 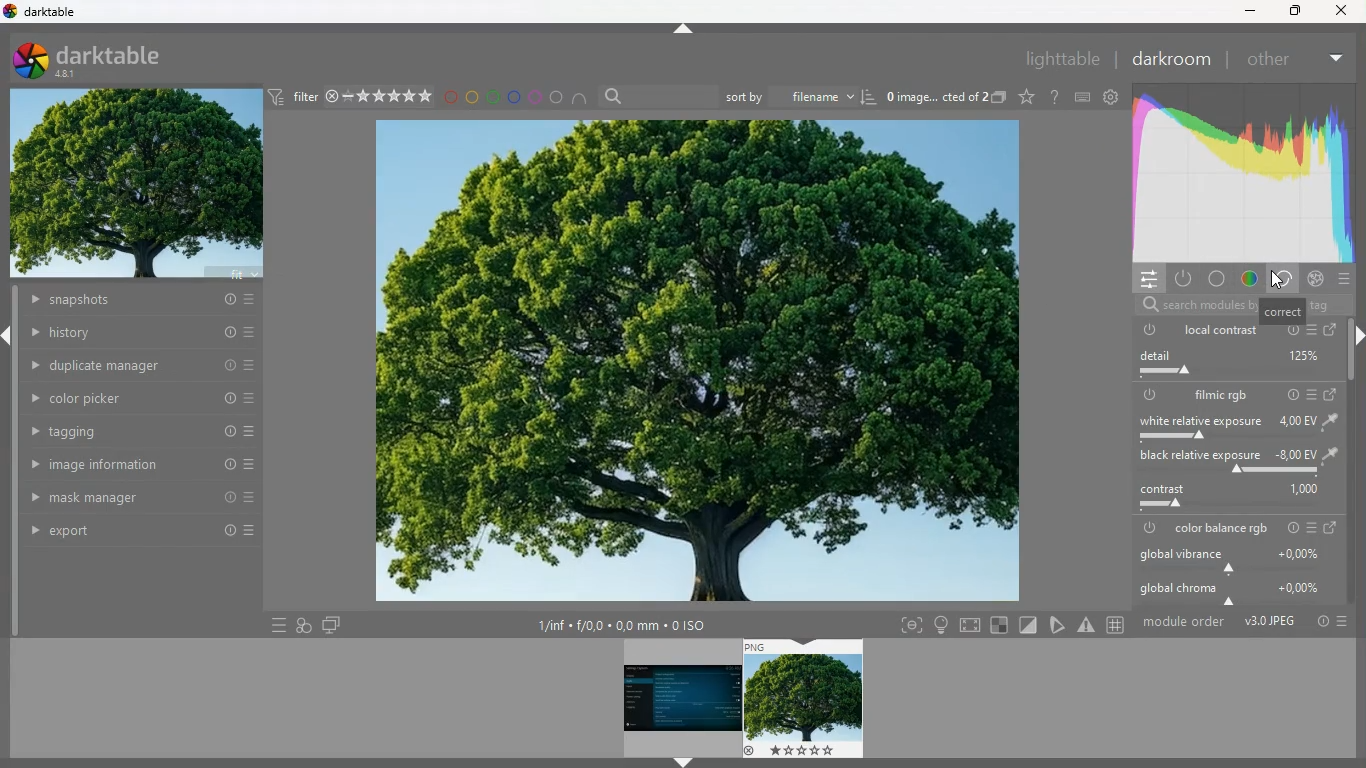 I want to click on local contrast, so click(x=1220, y=329).